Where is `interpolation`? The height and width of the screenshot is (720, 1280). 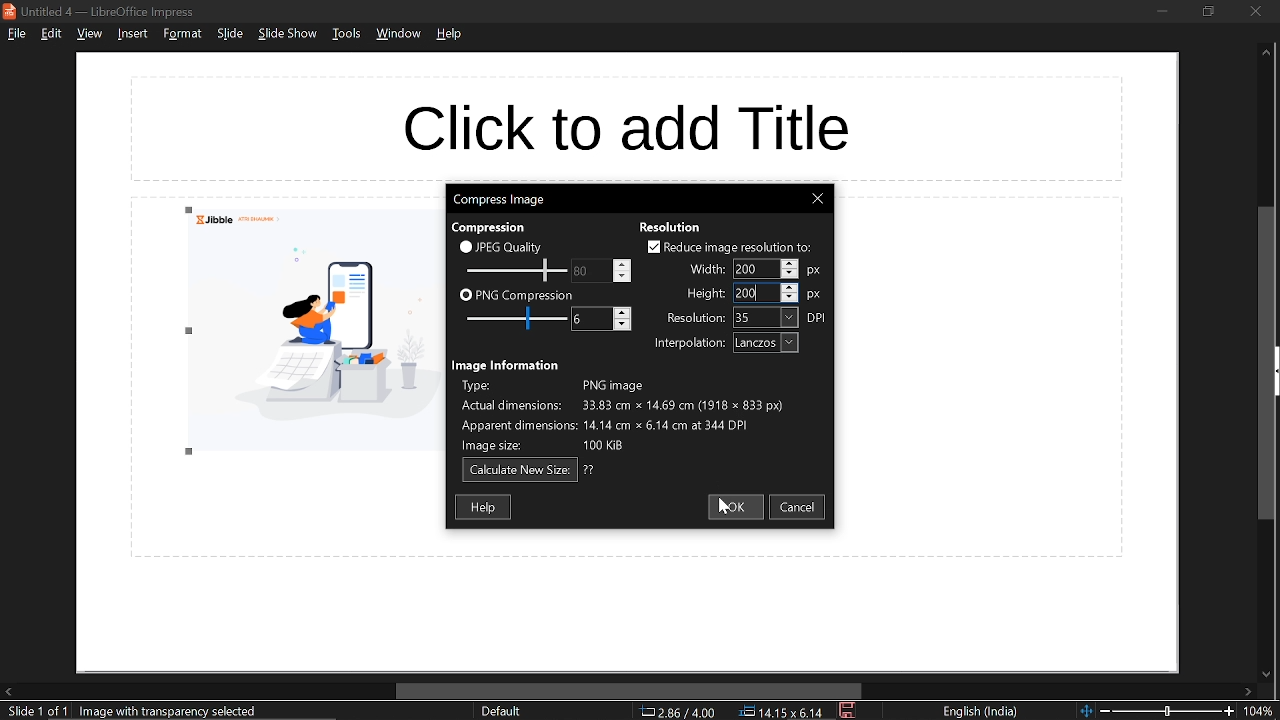 interpolation is located at coordinates (685, 344).